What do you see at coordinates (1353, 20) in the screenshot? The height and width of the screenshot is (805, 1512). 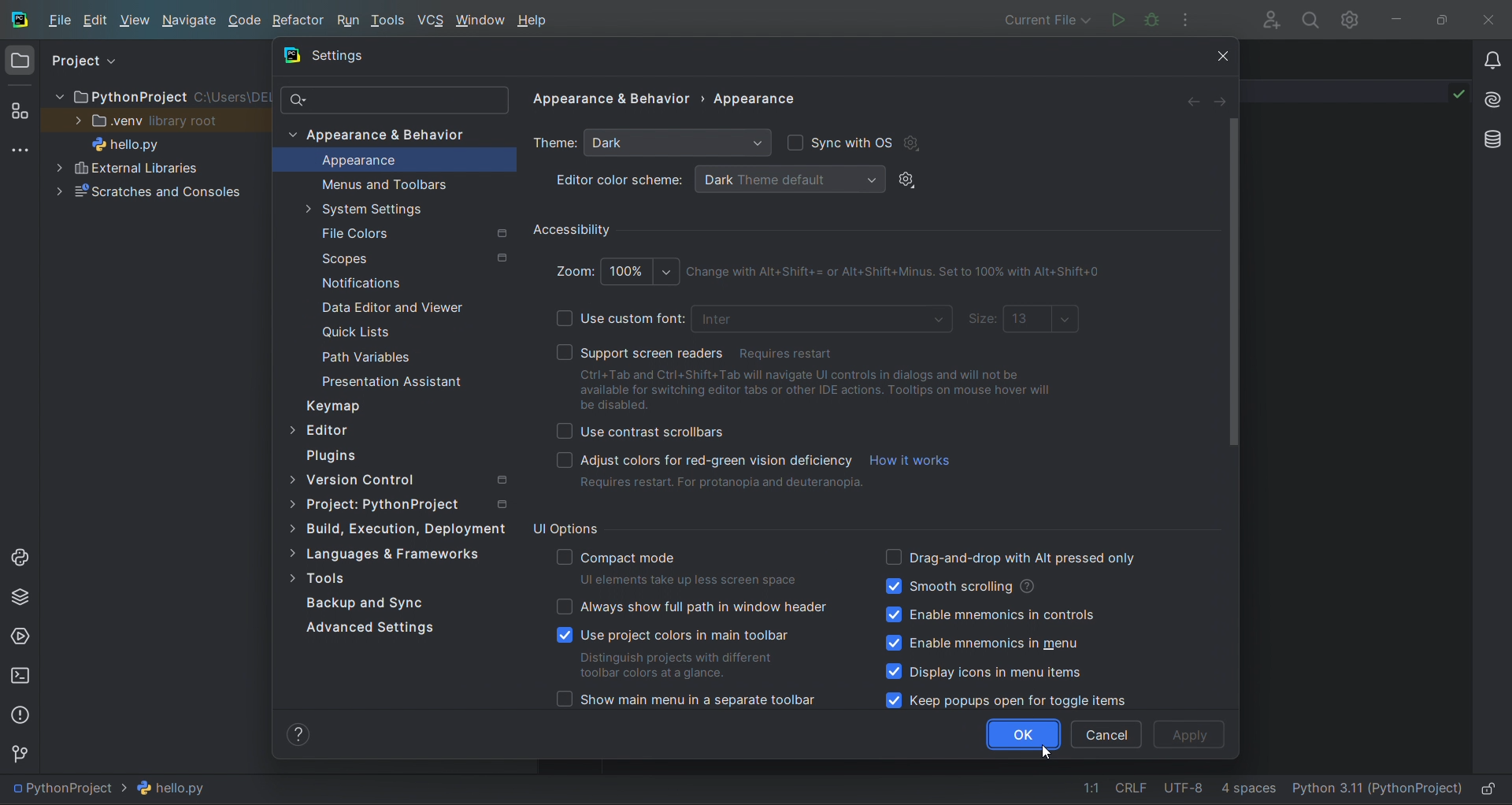 I see `settings` at bounding box center [1353, 20].